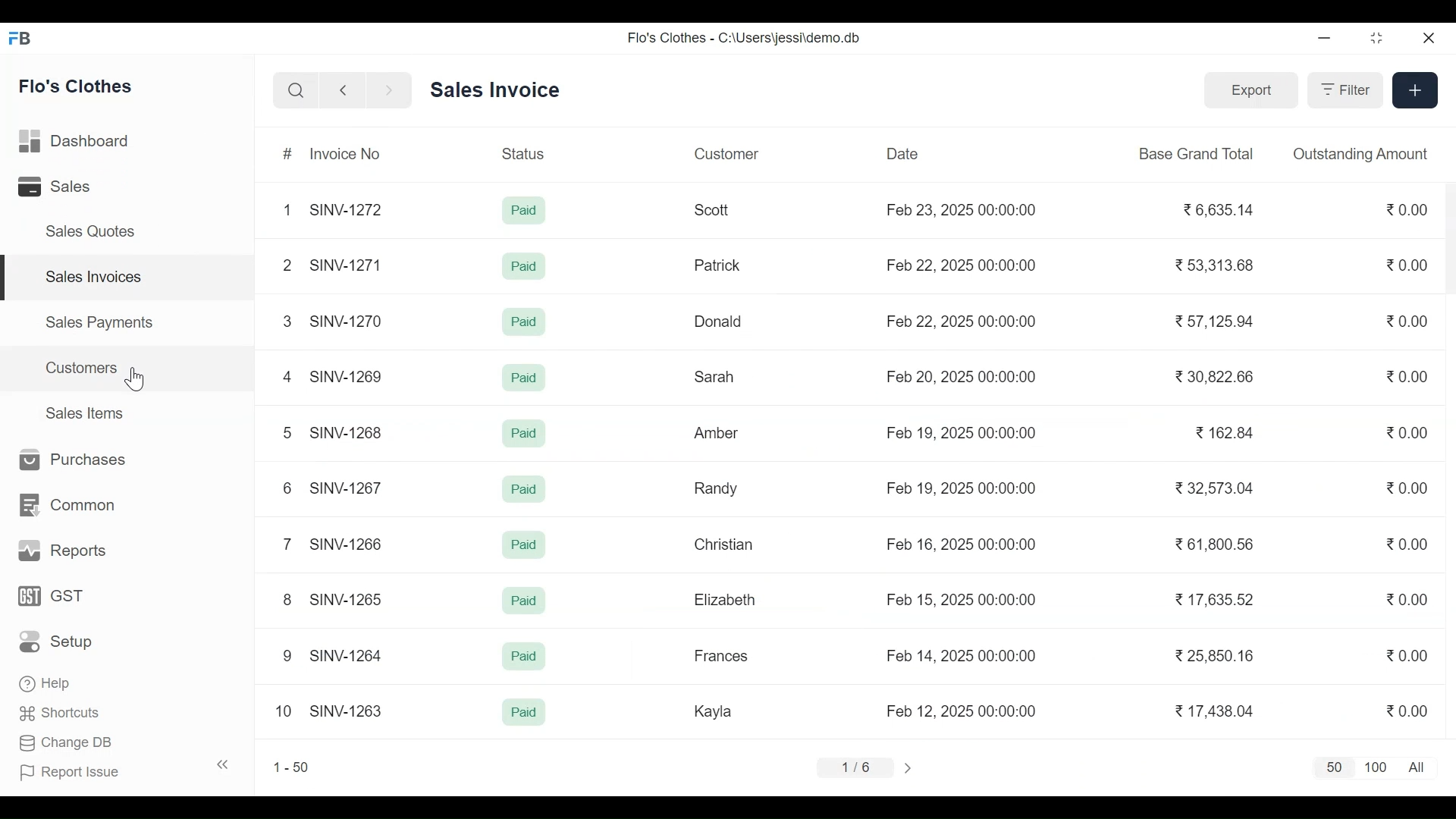 This screenshot has height=819, width=1456. What do you see at coordinates (1409, 599) in the screenshot?
I see `0.00` at bounding box center [1409, 599].